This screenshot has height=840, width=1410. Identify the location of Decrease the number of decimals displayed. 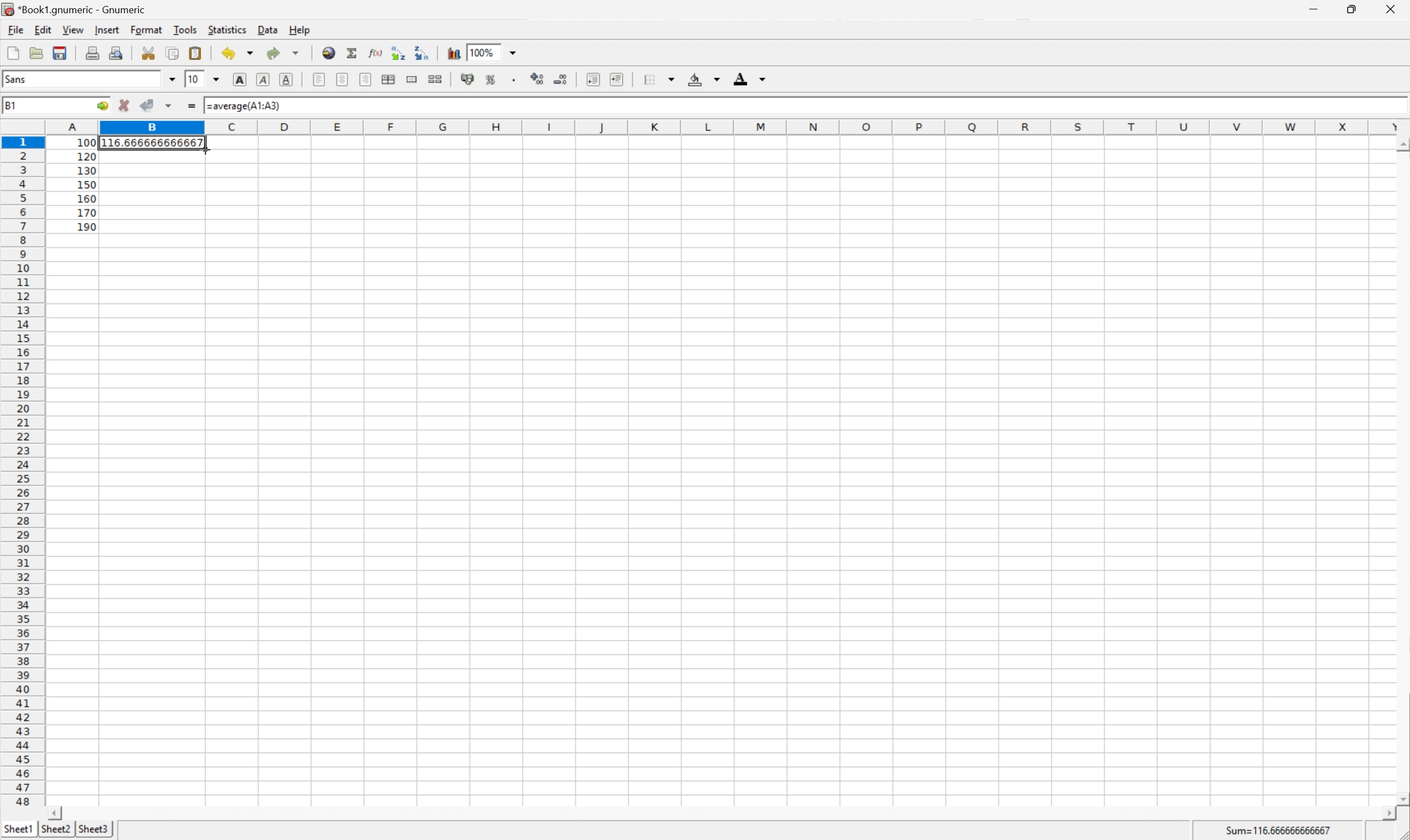
(562, 80).